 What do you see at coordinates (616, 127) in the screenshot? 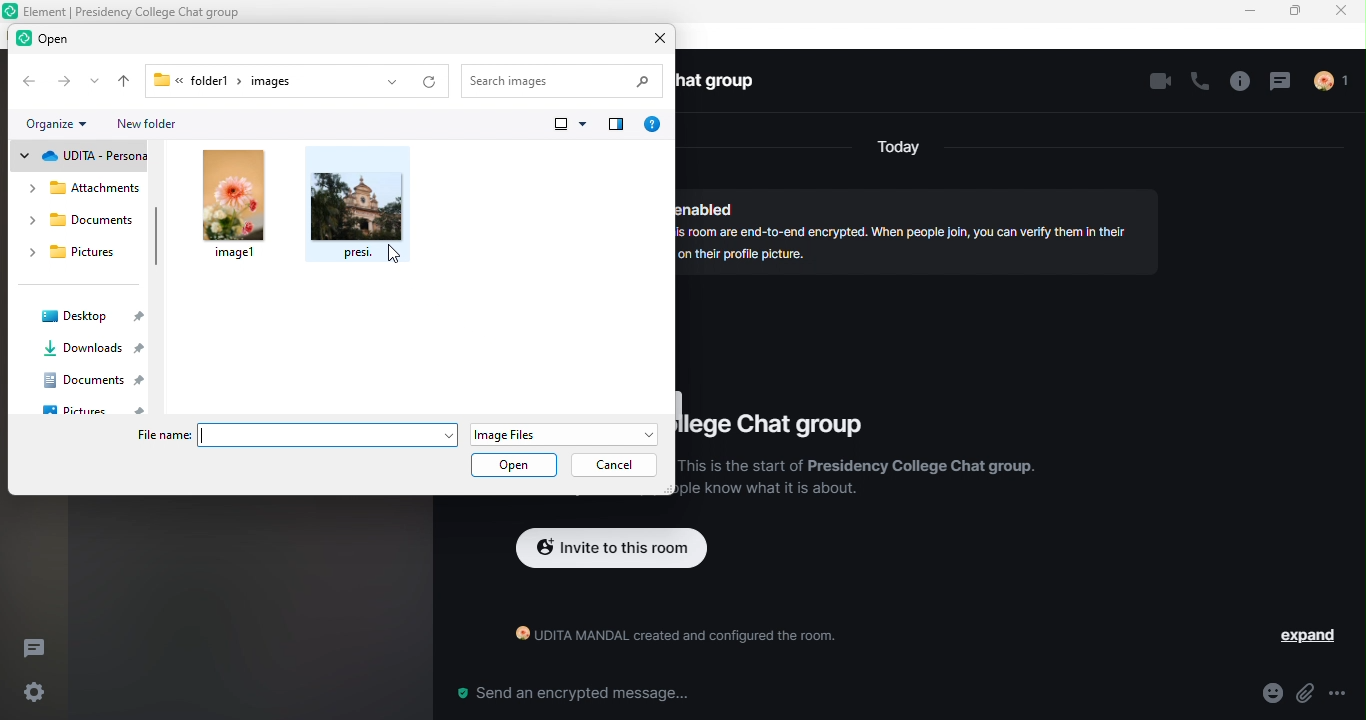
I see `show the preview pane` at bounding box center [616, 127].